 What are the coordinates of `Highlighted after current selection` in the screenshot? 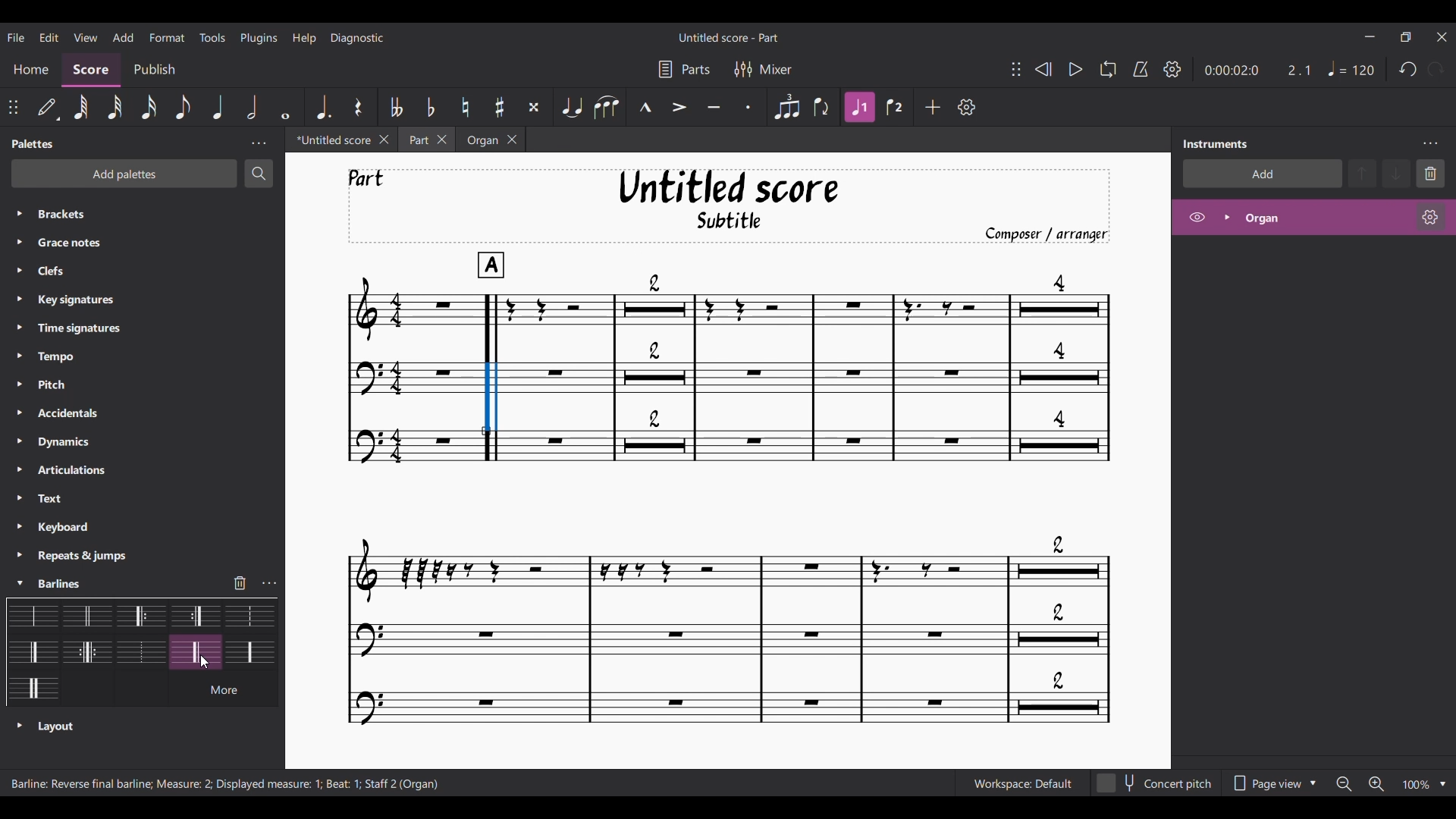 It's located at (1313, 217).